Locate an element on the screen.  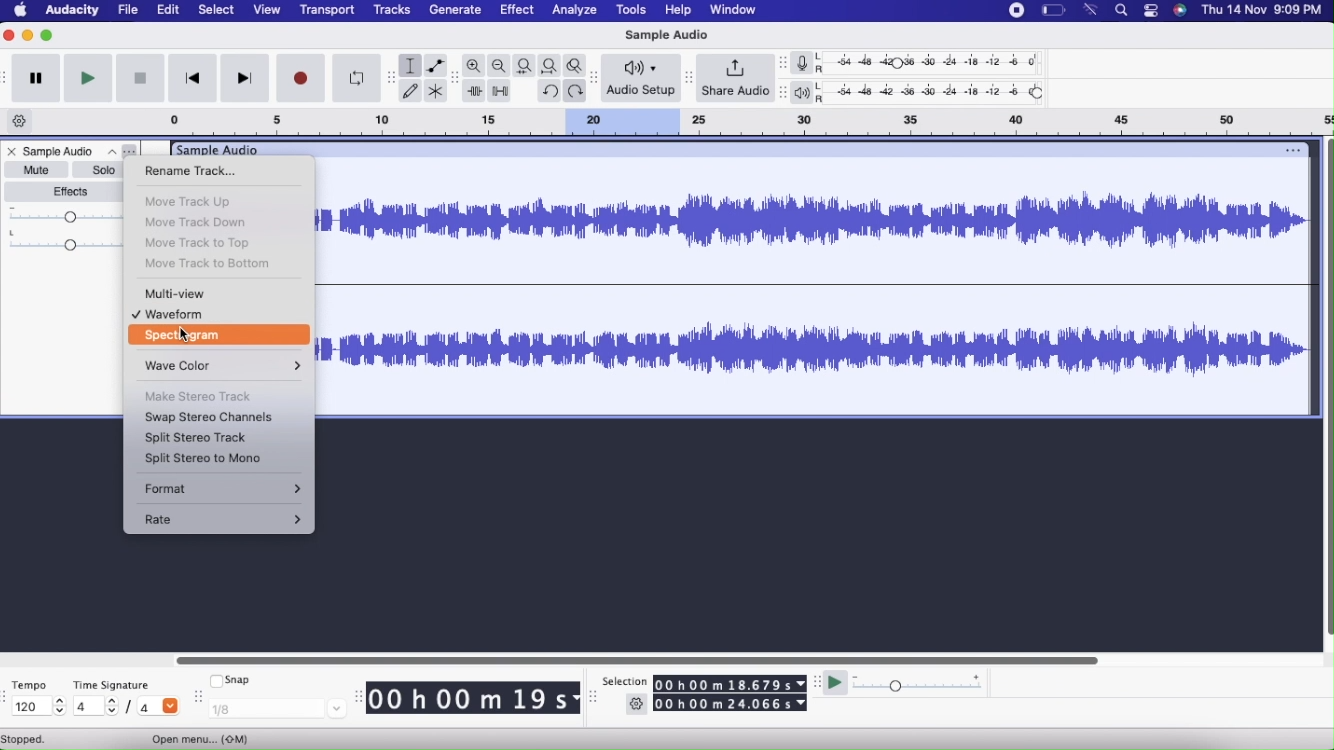
Slider is located at coordinates (638, 658).